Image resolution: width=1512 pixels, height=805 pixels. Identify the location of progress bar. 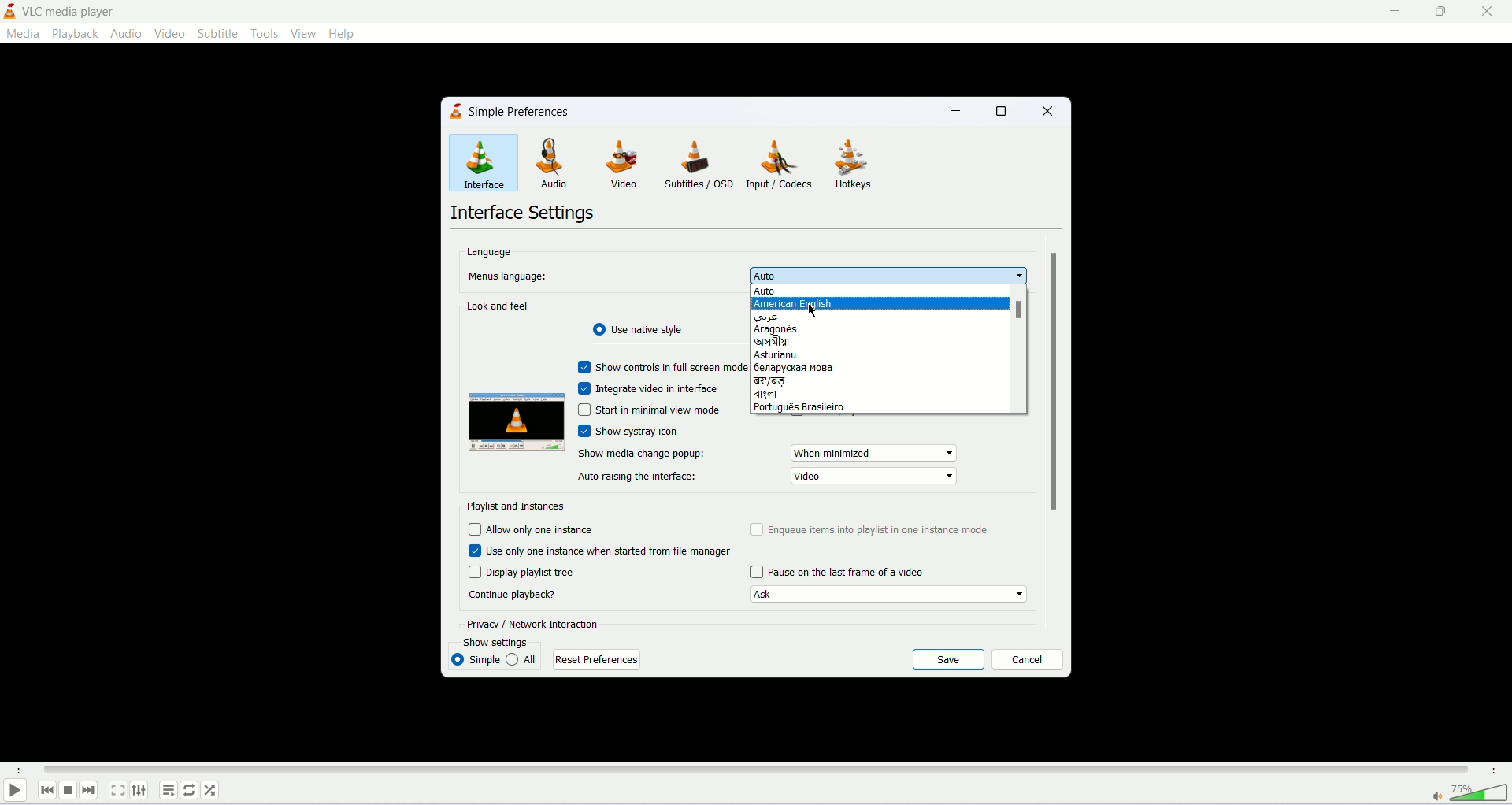
(756, 770).